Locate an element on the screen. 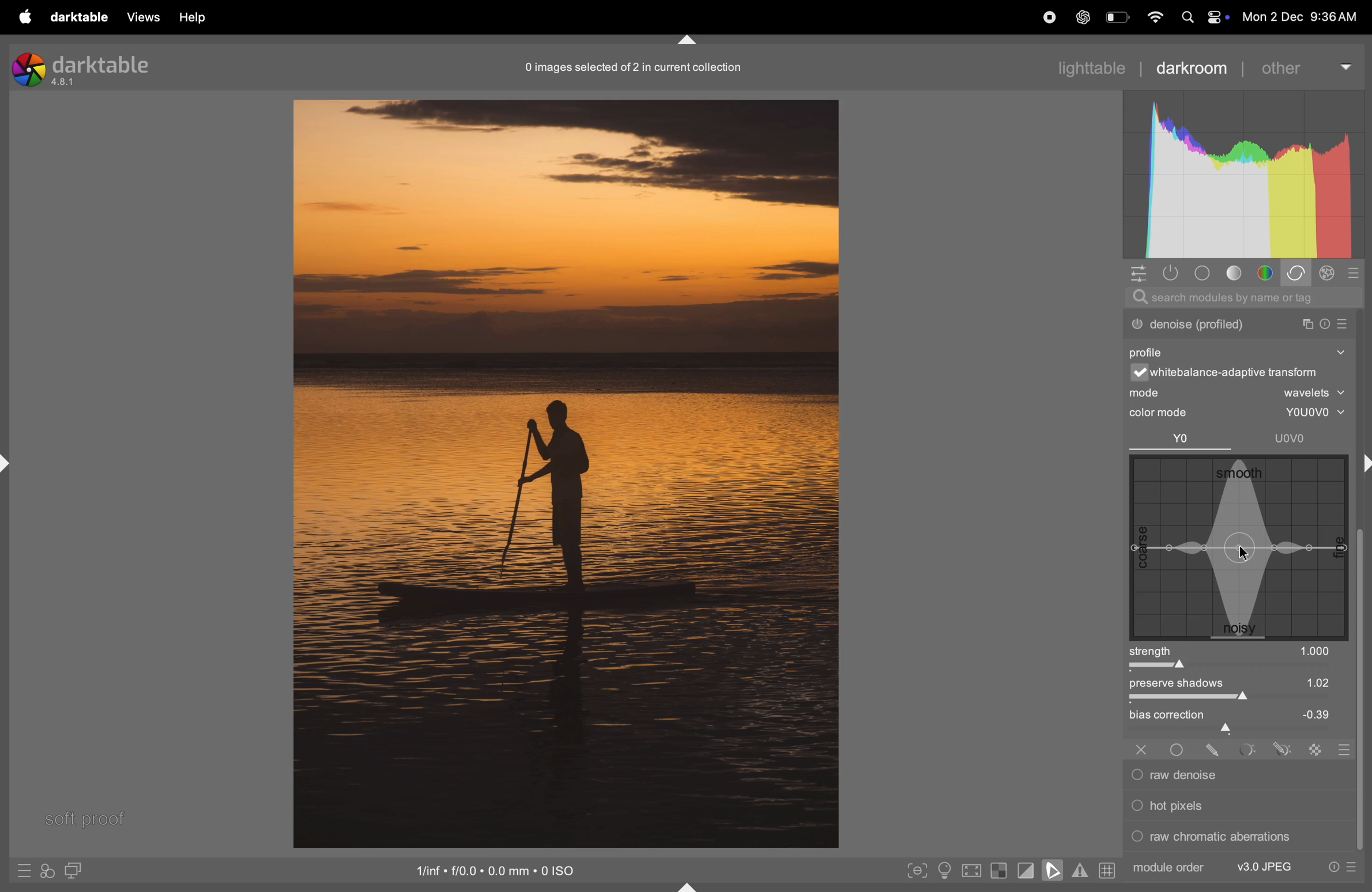 This screenshot has width=1372, height=892. toggle indication for raw exposure is located at coordinates (999, 872).